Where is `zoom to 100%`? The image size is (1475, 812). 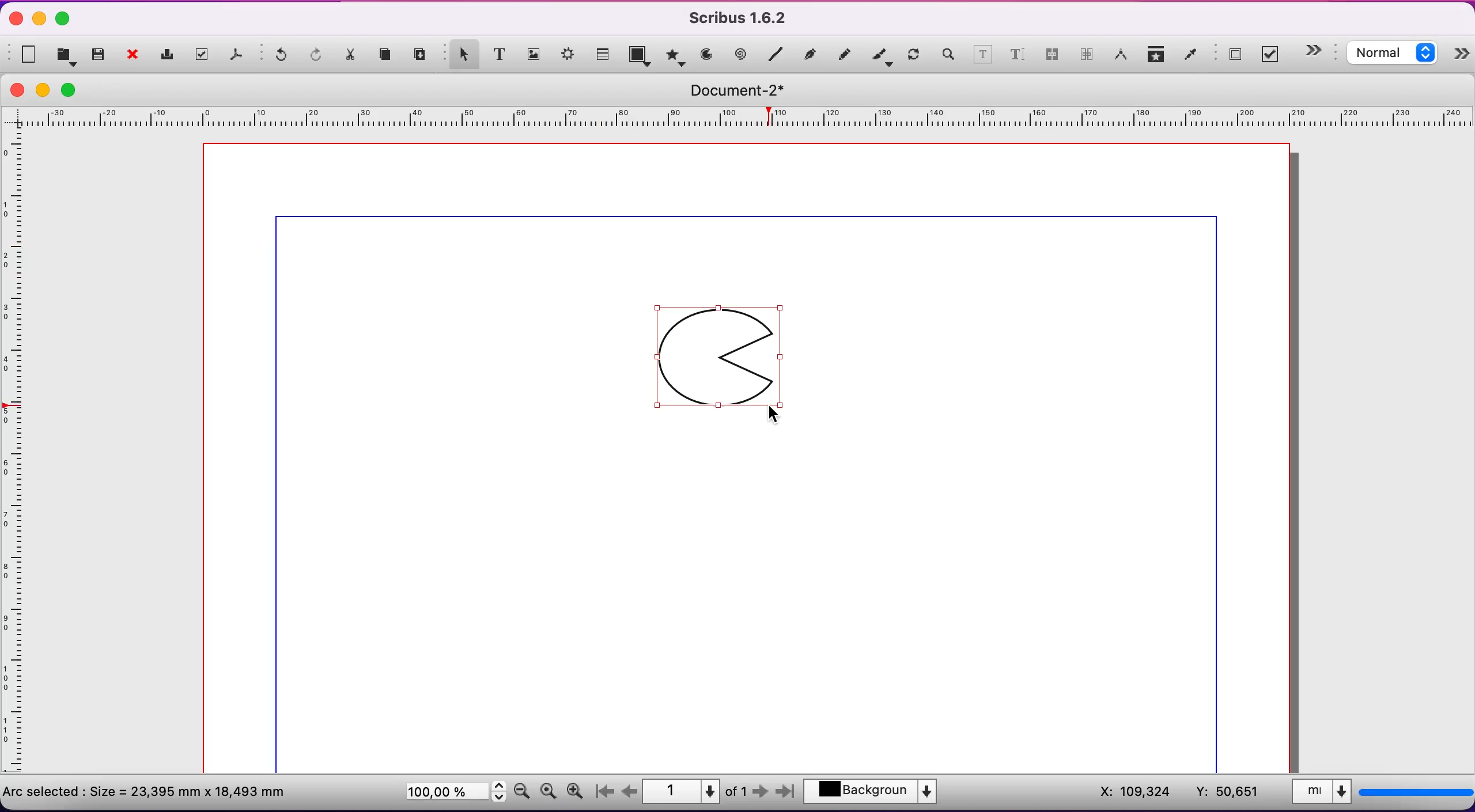
zoom to 100% is located at coordinates (548, 794).